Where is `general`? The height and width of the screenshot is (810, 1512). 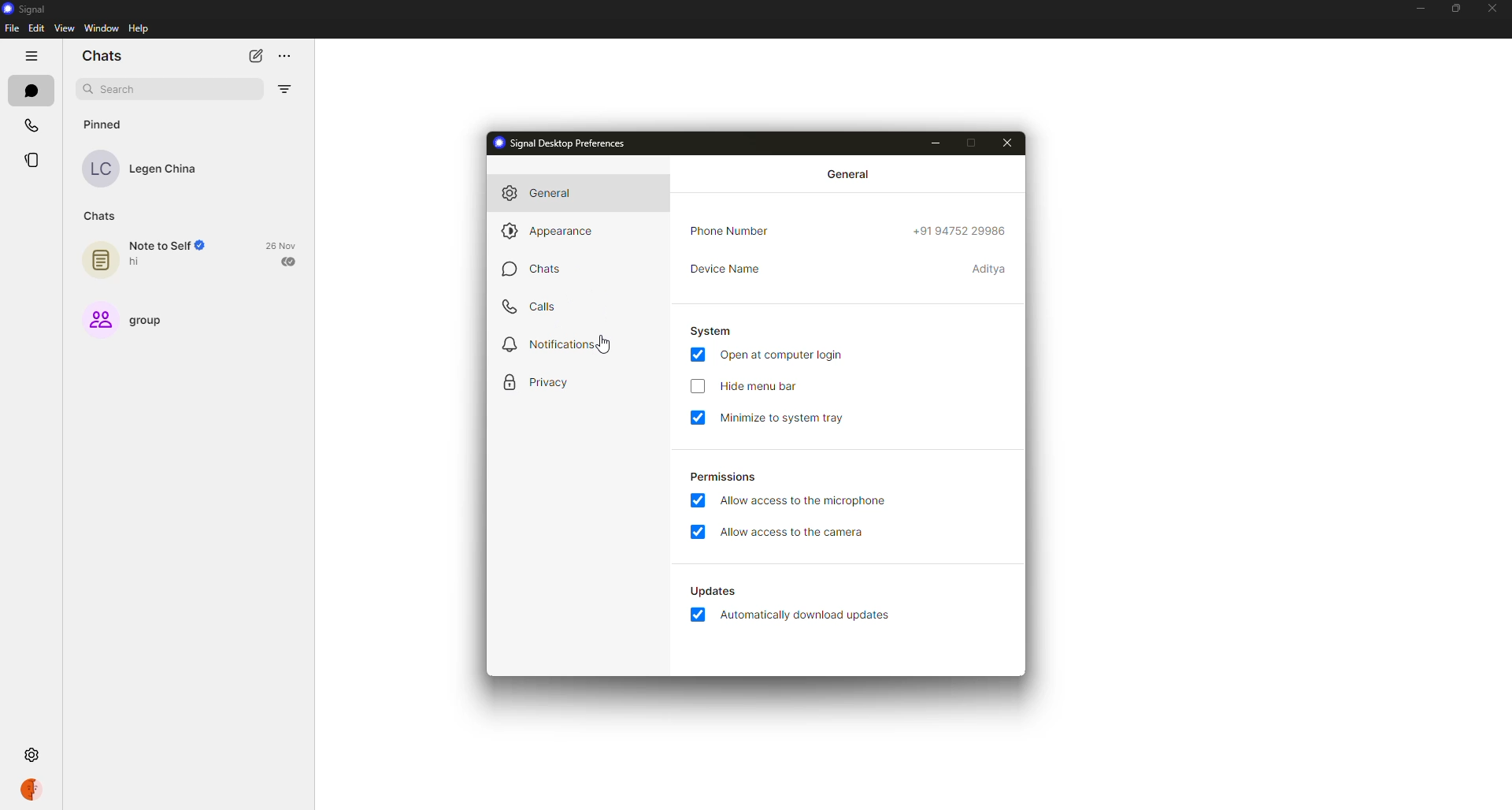
general is located at coordinates (846, 174).